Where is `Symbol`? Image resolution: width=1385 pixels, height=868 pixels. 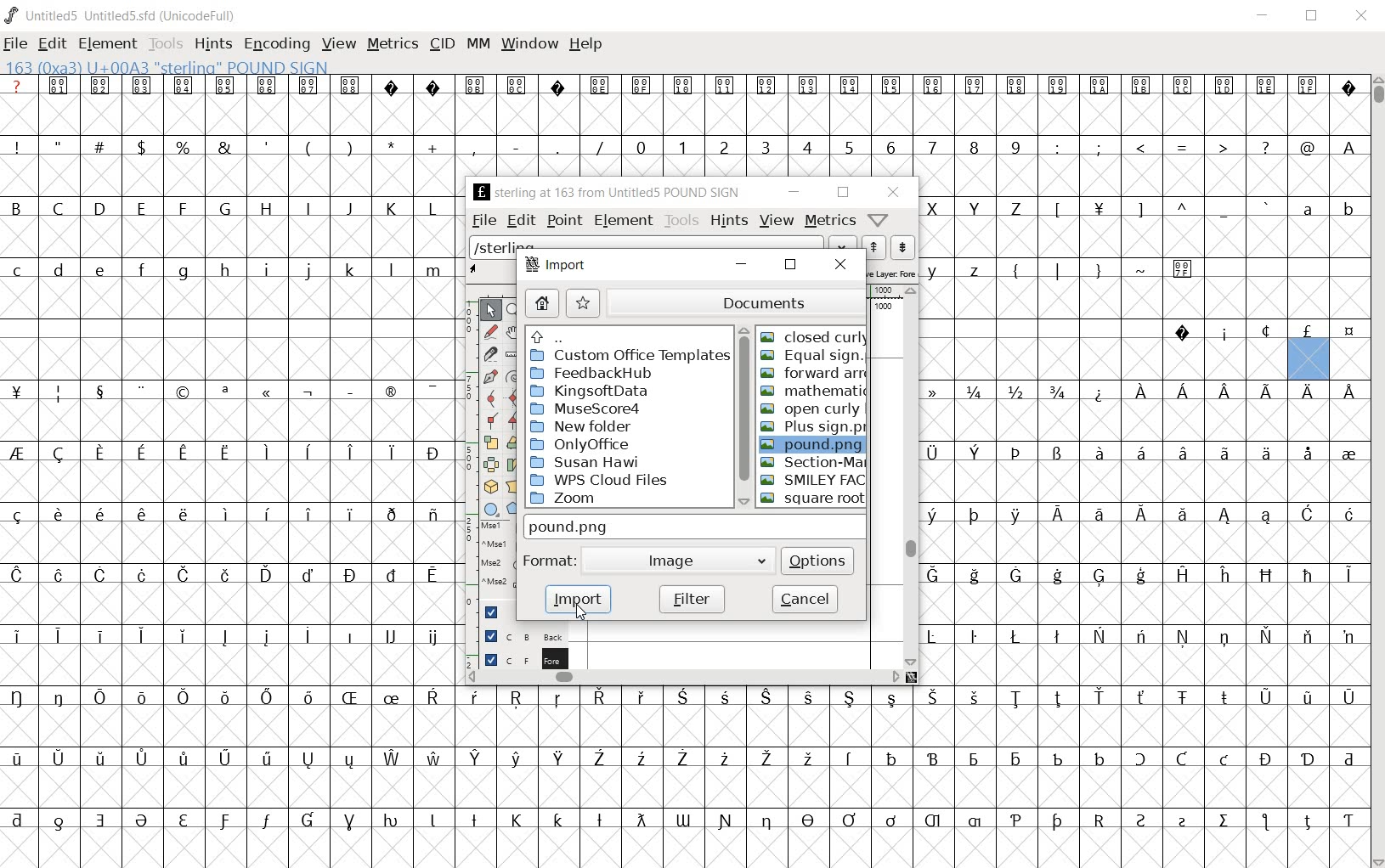
Symbol is located at coordinates (975, 759).